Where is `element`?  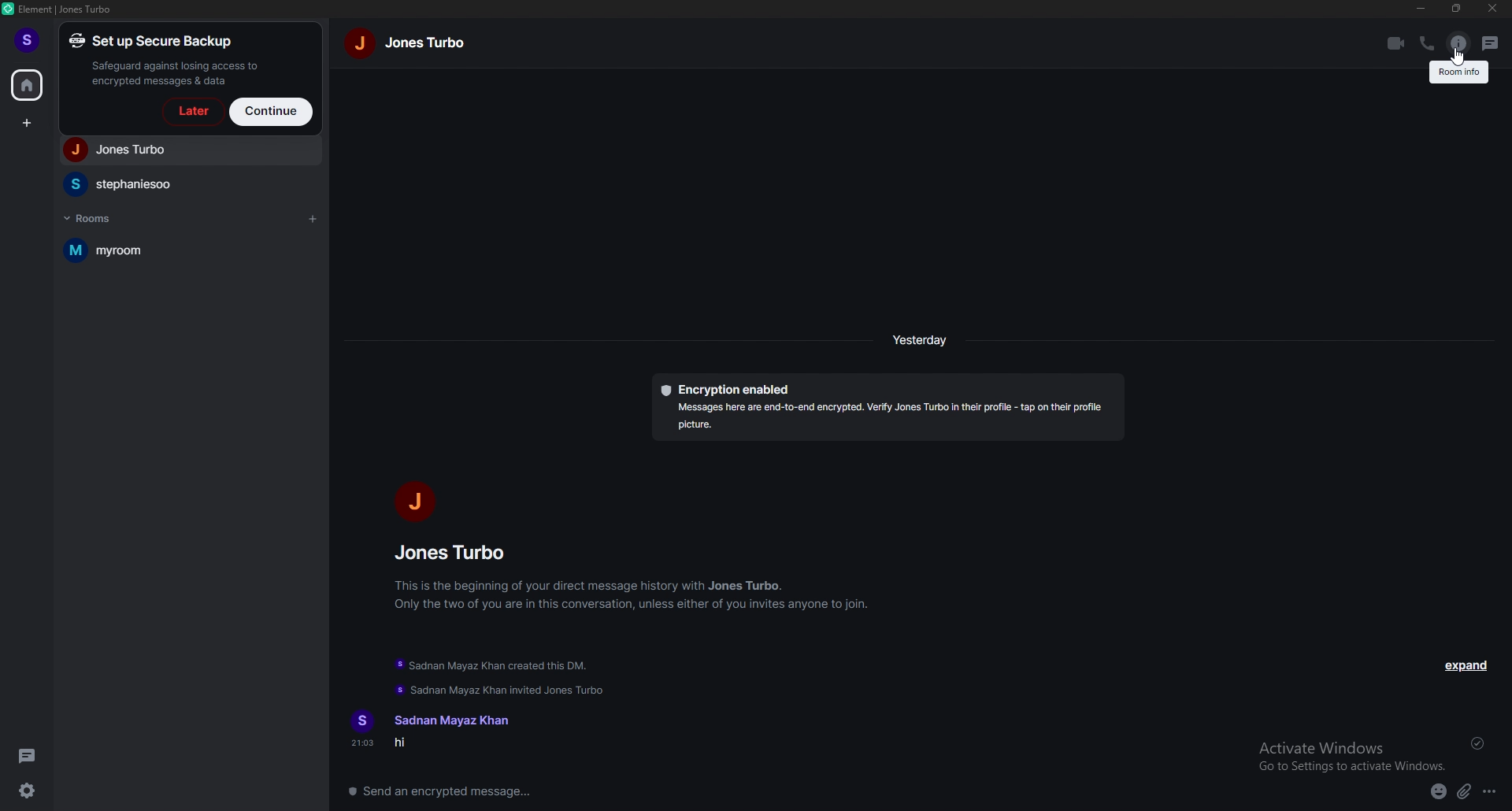 element is located at coordinates (60, 9).